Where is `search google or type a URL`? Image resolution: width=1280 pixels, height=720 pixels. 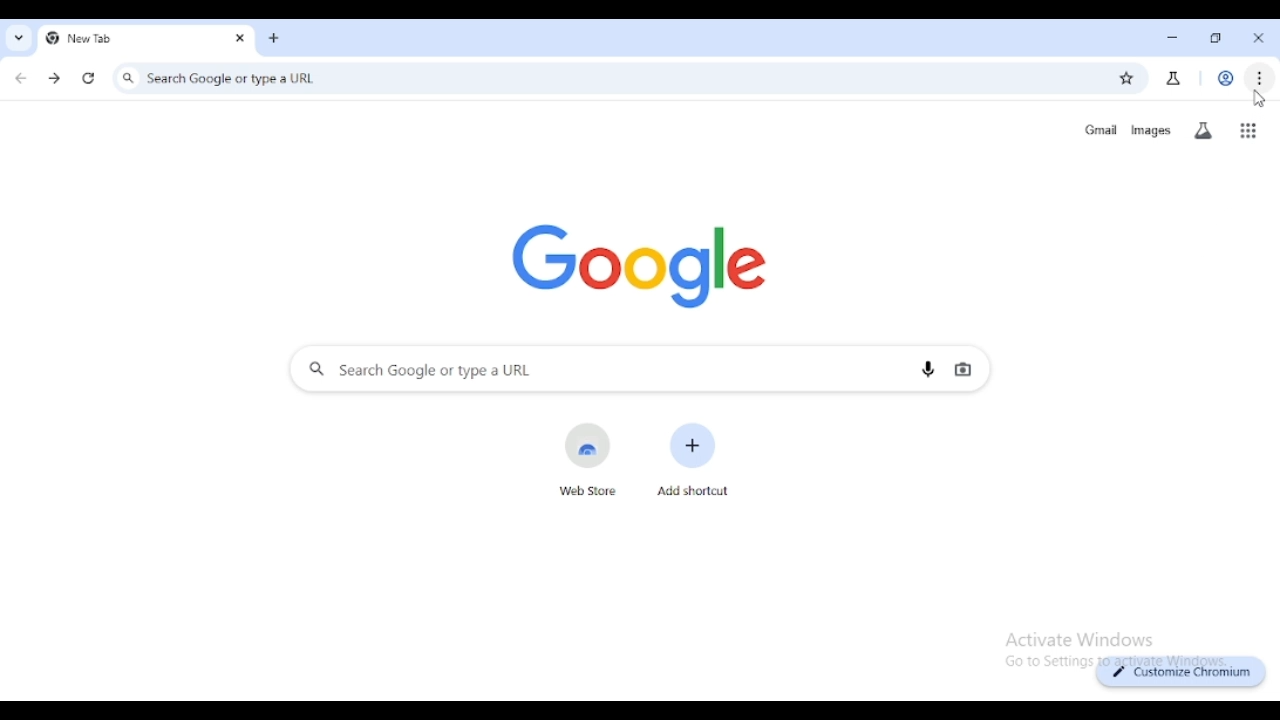 search google or type a URL is located at coordinates (594, 369).